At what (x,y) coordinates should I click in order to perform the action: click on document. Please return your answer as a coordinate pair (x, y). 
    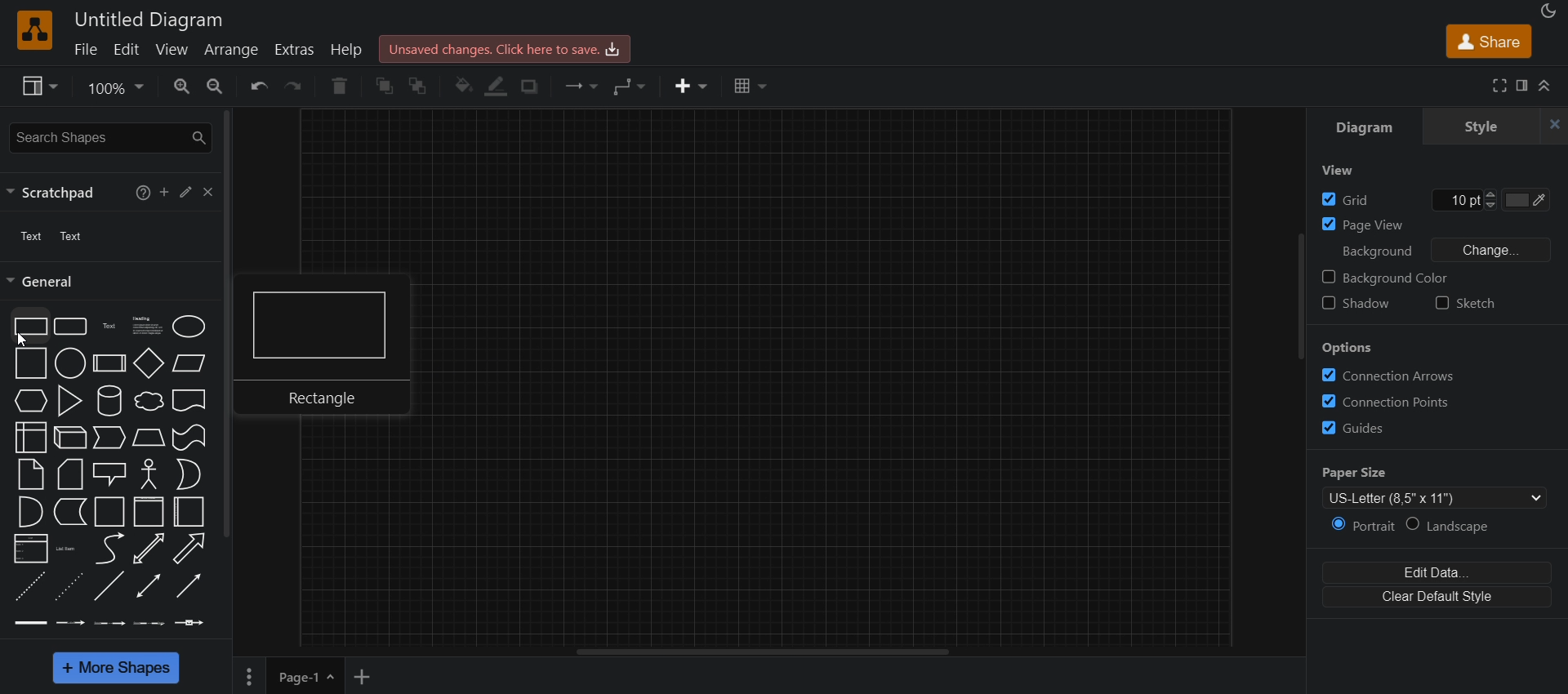
    Looking at the image, I should click on (190, 401).